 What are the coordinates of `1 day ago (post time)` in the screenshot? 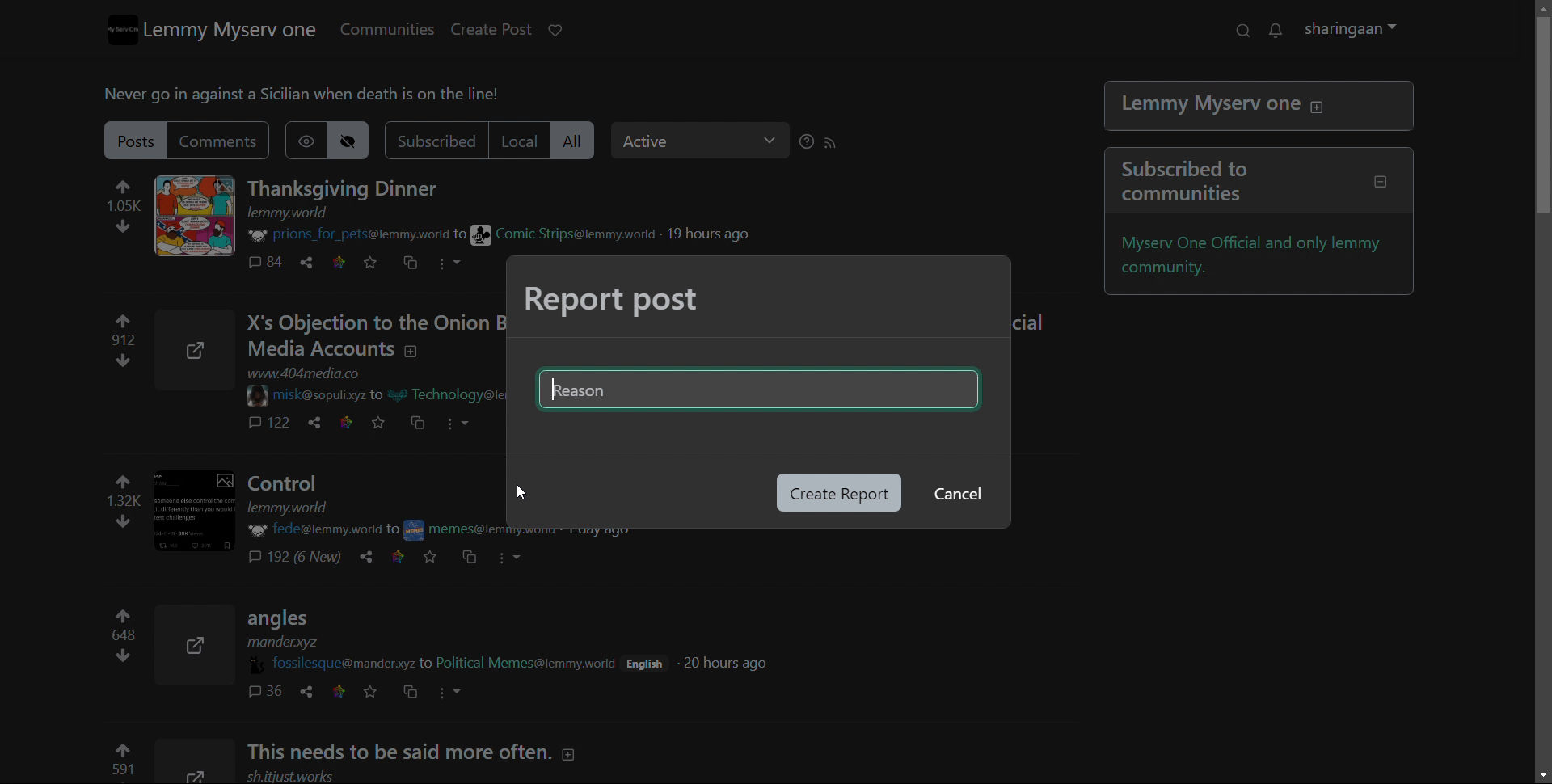 It's located at (603, 534).